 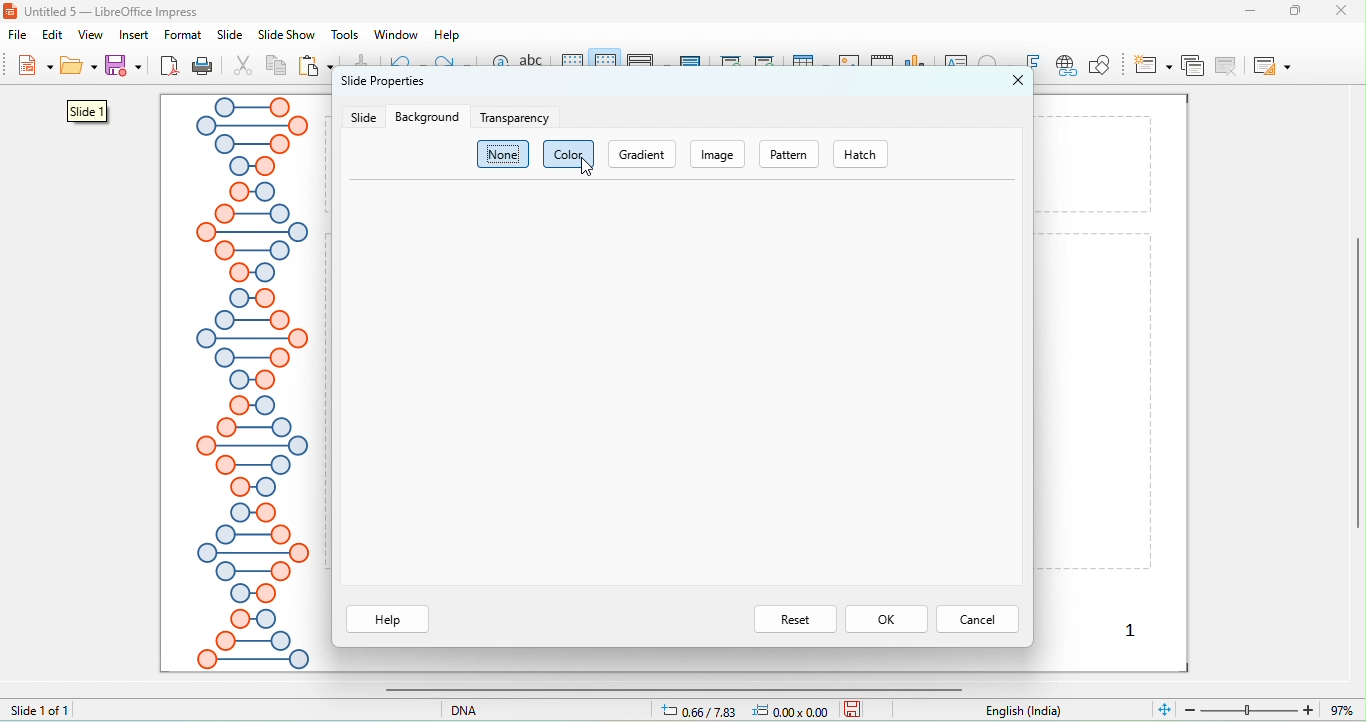 What do you see at coordinates (394, 34) in the screenshot?
I see `window` at bounding box center [394, 34].